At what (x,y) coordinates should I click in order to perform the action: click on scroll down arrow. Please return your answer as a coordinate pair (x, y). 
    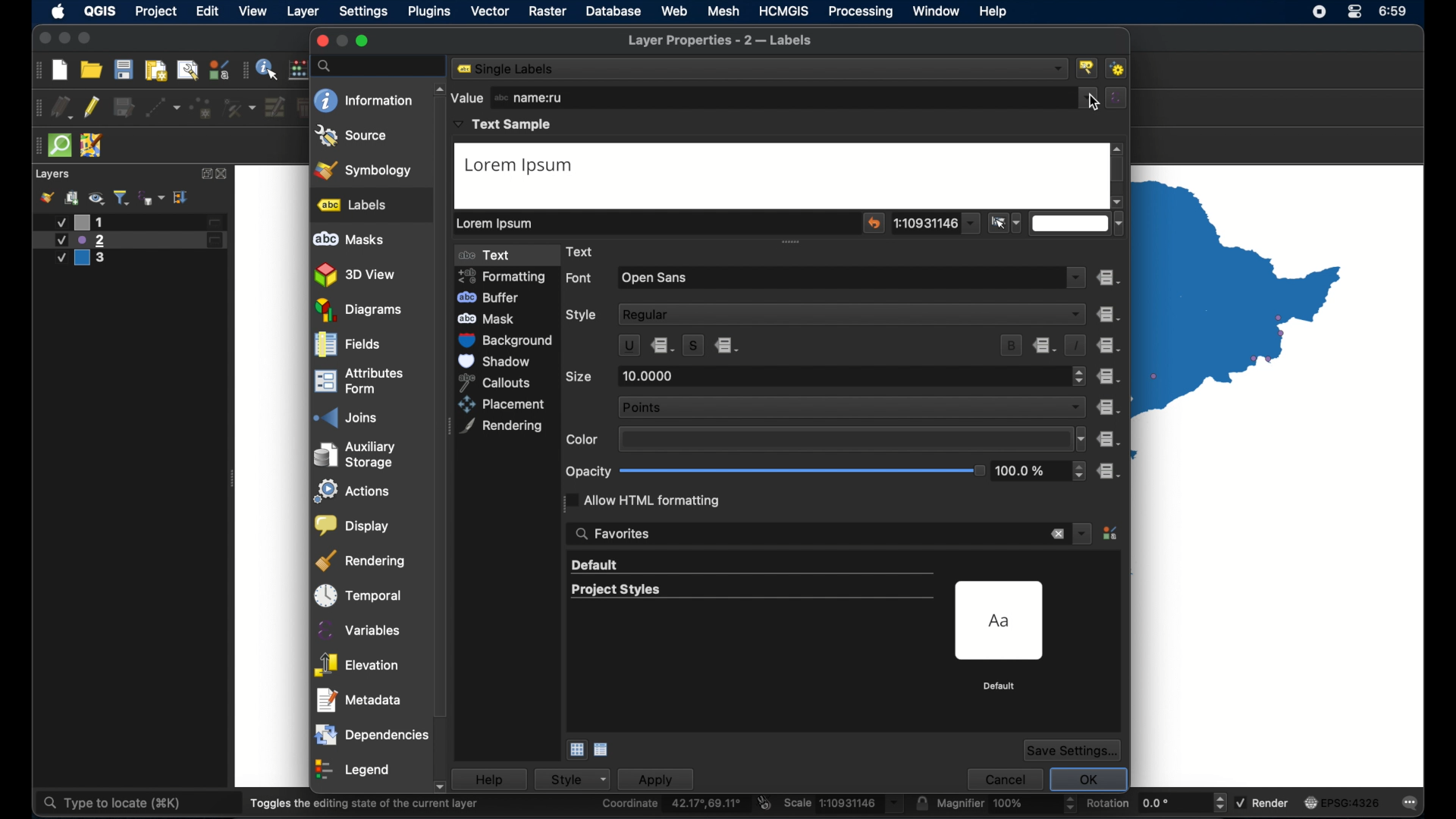
    Looking at the image, I should click on (1117, 202).